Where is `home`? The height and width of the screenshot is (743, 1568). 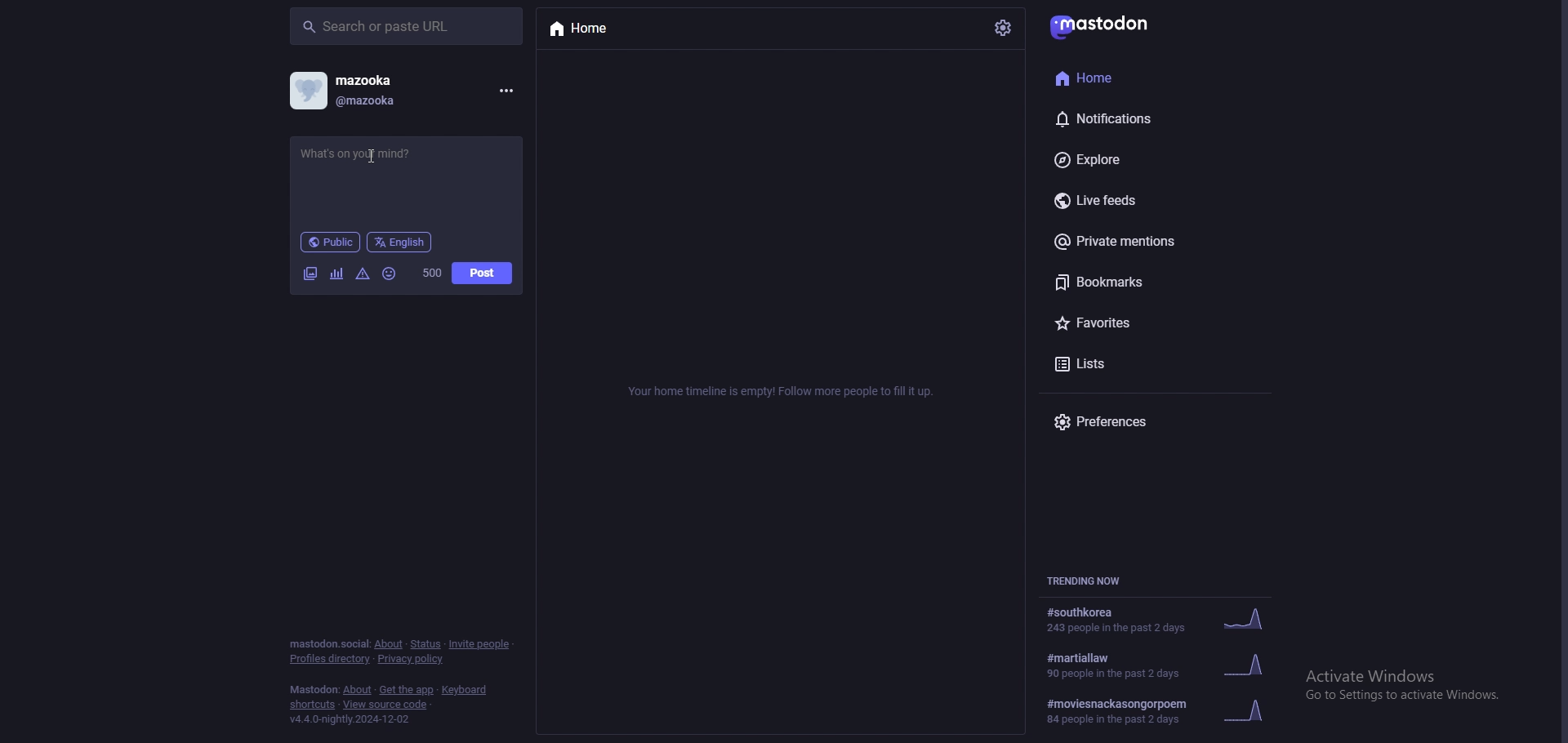 home is located at coordinates (1113, 78).